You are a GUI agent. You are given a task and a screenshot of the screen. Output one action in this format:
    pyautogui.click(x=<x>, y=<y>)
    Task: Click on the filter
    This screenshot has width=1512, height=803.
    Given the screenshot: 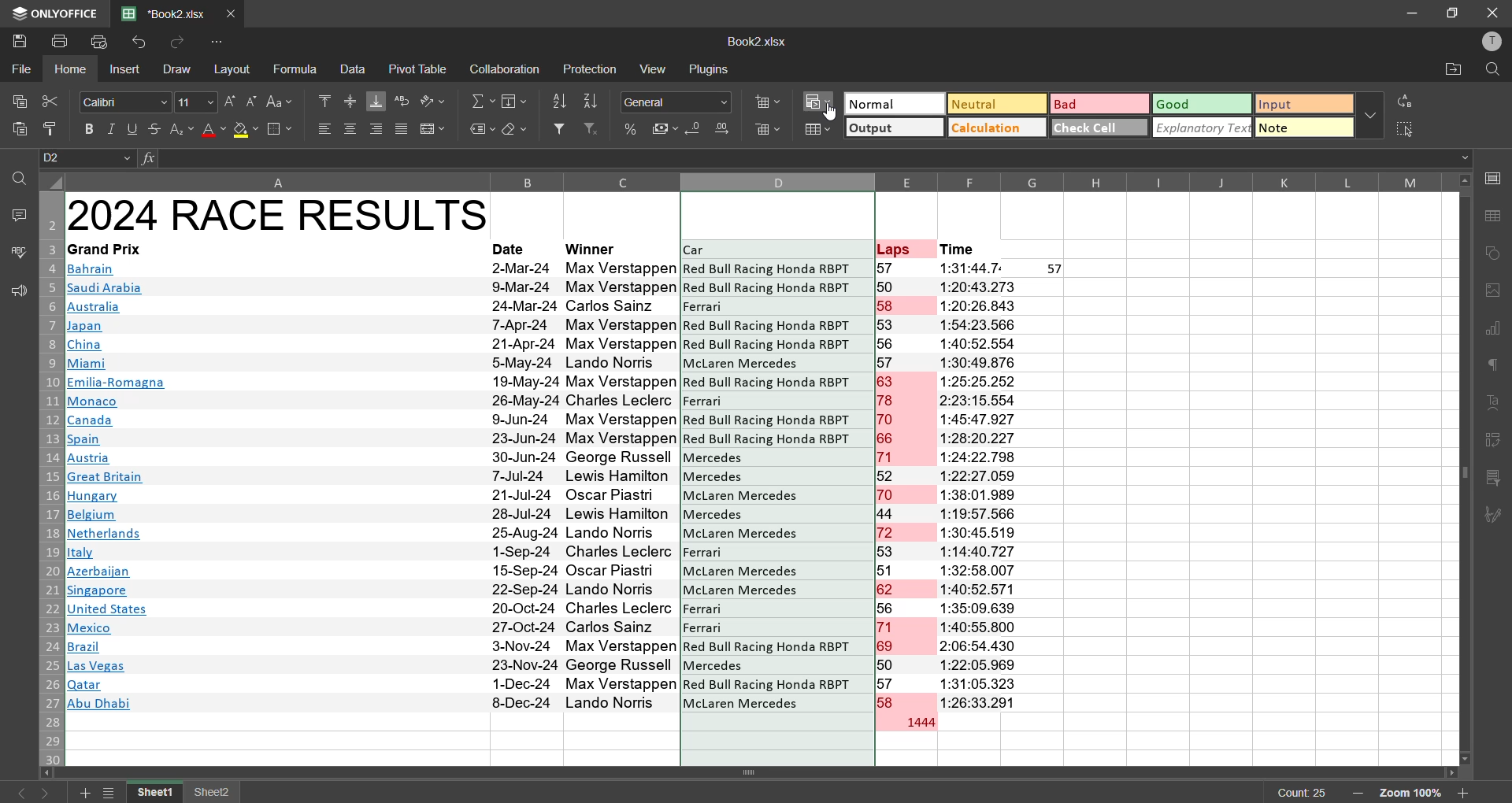 What is the action you would take?
    pyautogui.click(x=559, y=128)
    